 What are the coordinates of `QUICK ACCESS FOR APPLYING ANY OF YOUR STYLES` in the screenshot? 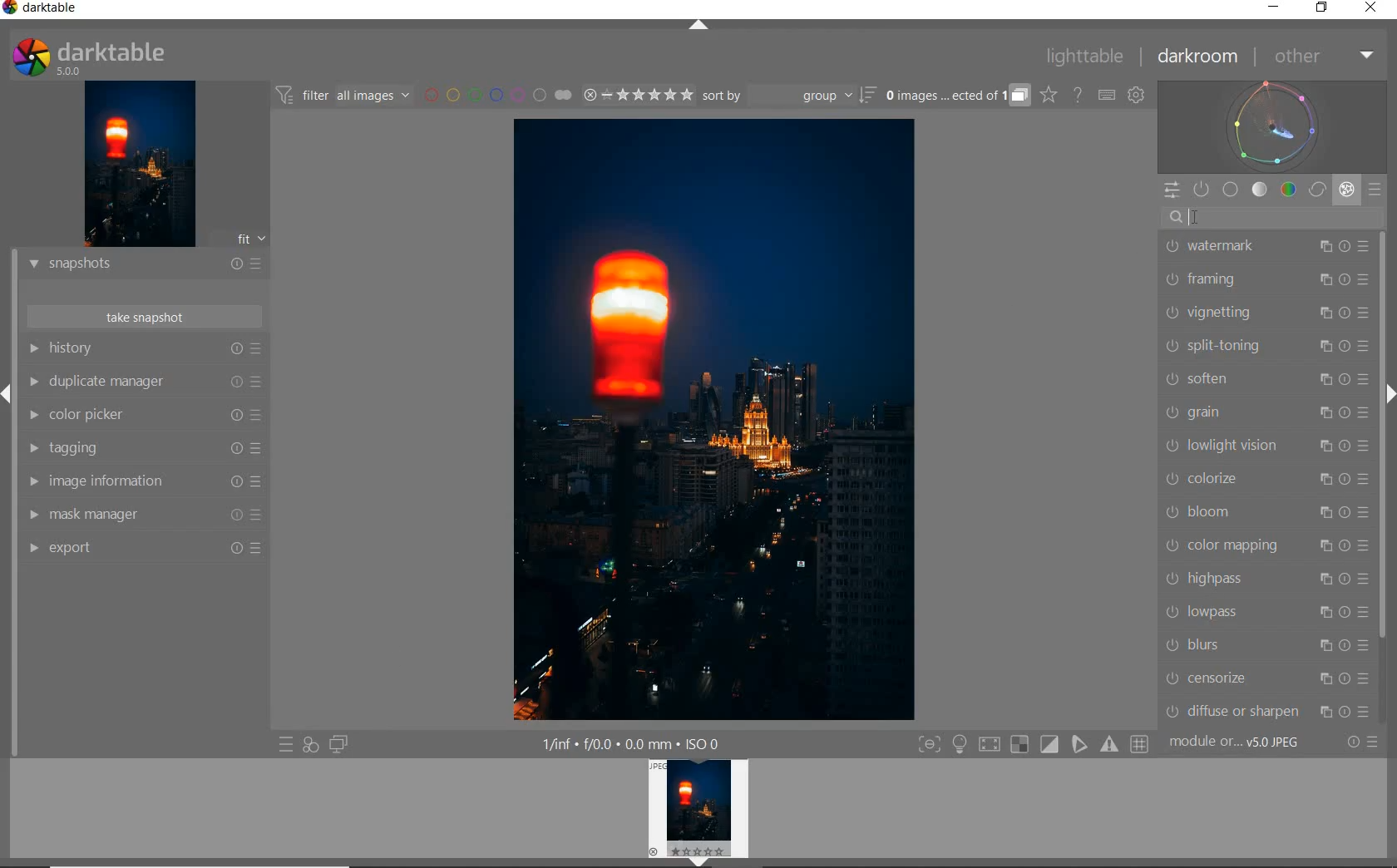 It's located at (309, 745).